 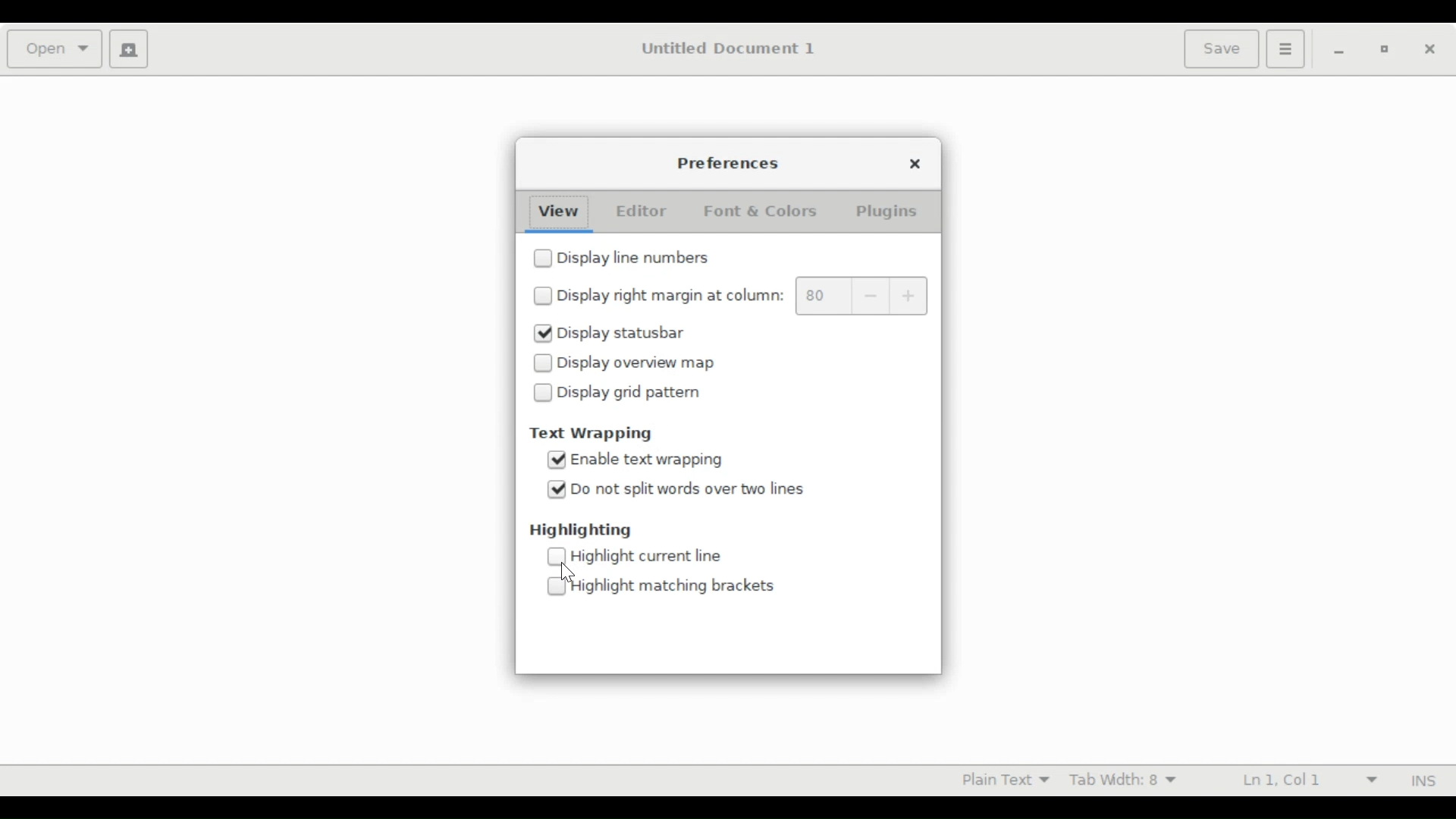 I want to click on margin value, so click(x=824, y=295).